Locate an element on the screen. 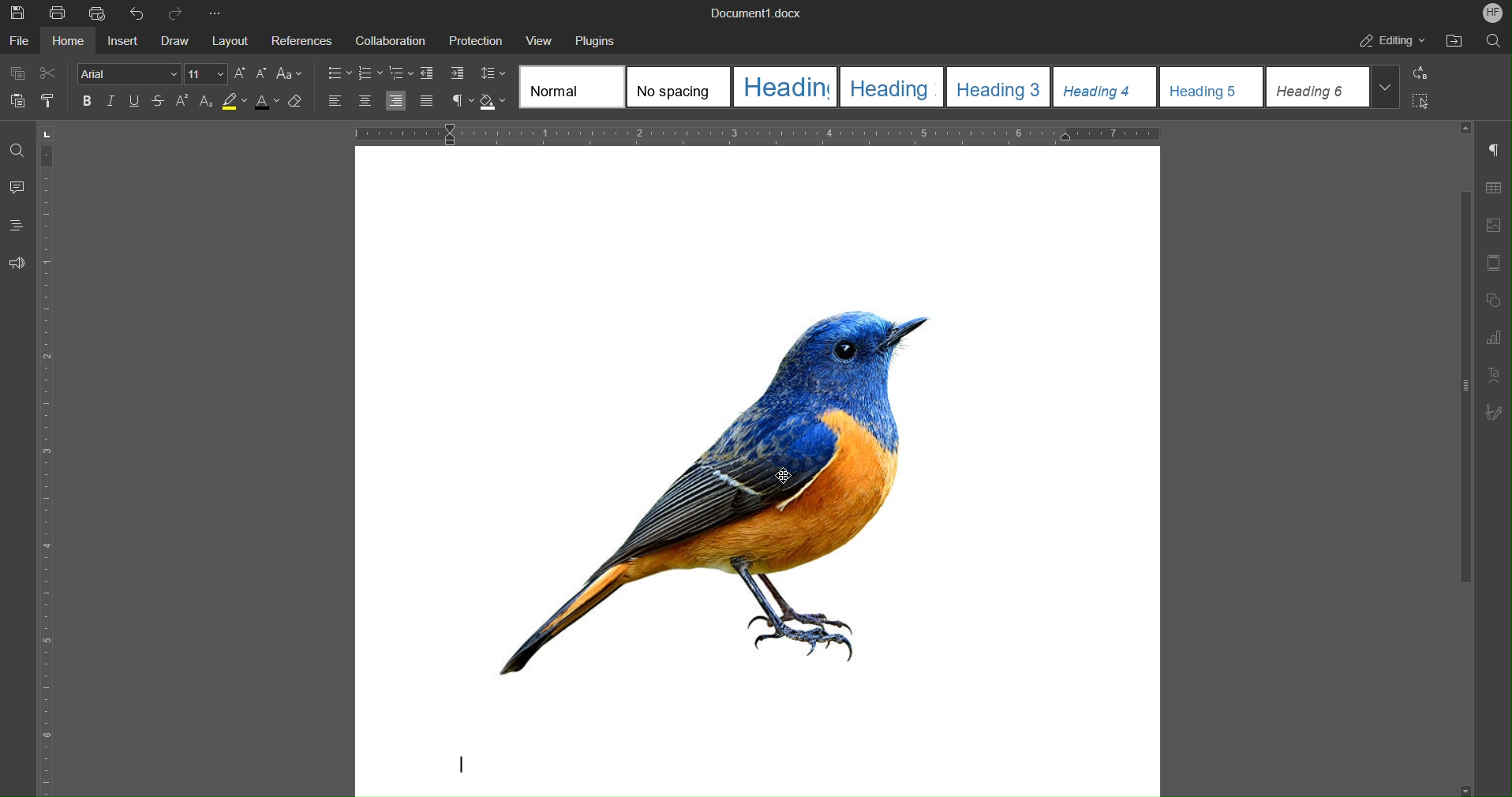 This screenshot has width=1512, height=797. Comments is located at coordinates (17, 189).